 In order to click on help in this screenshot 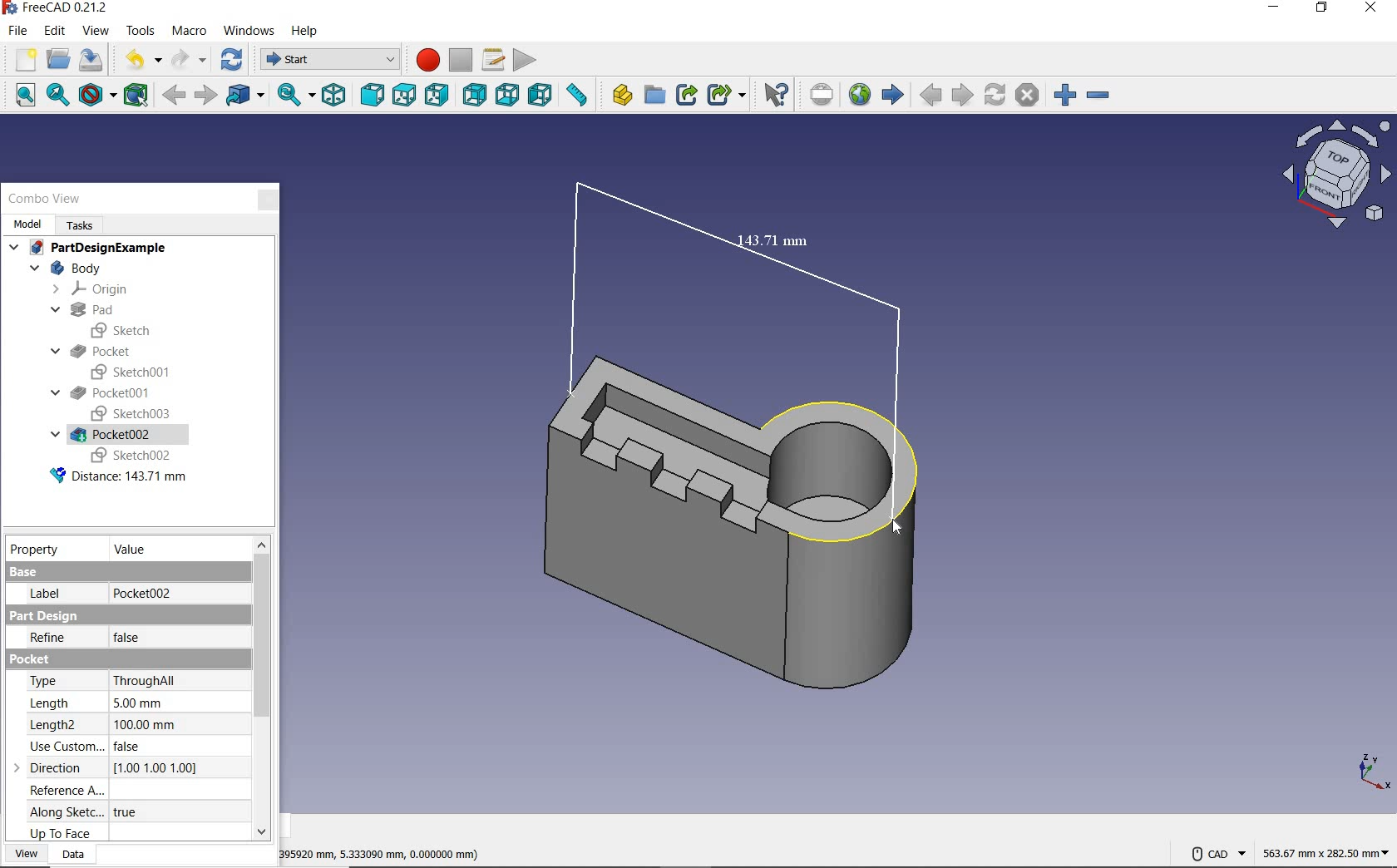, I will do `click(305, 29)`.